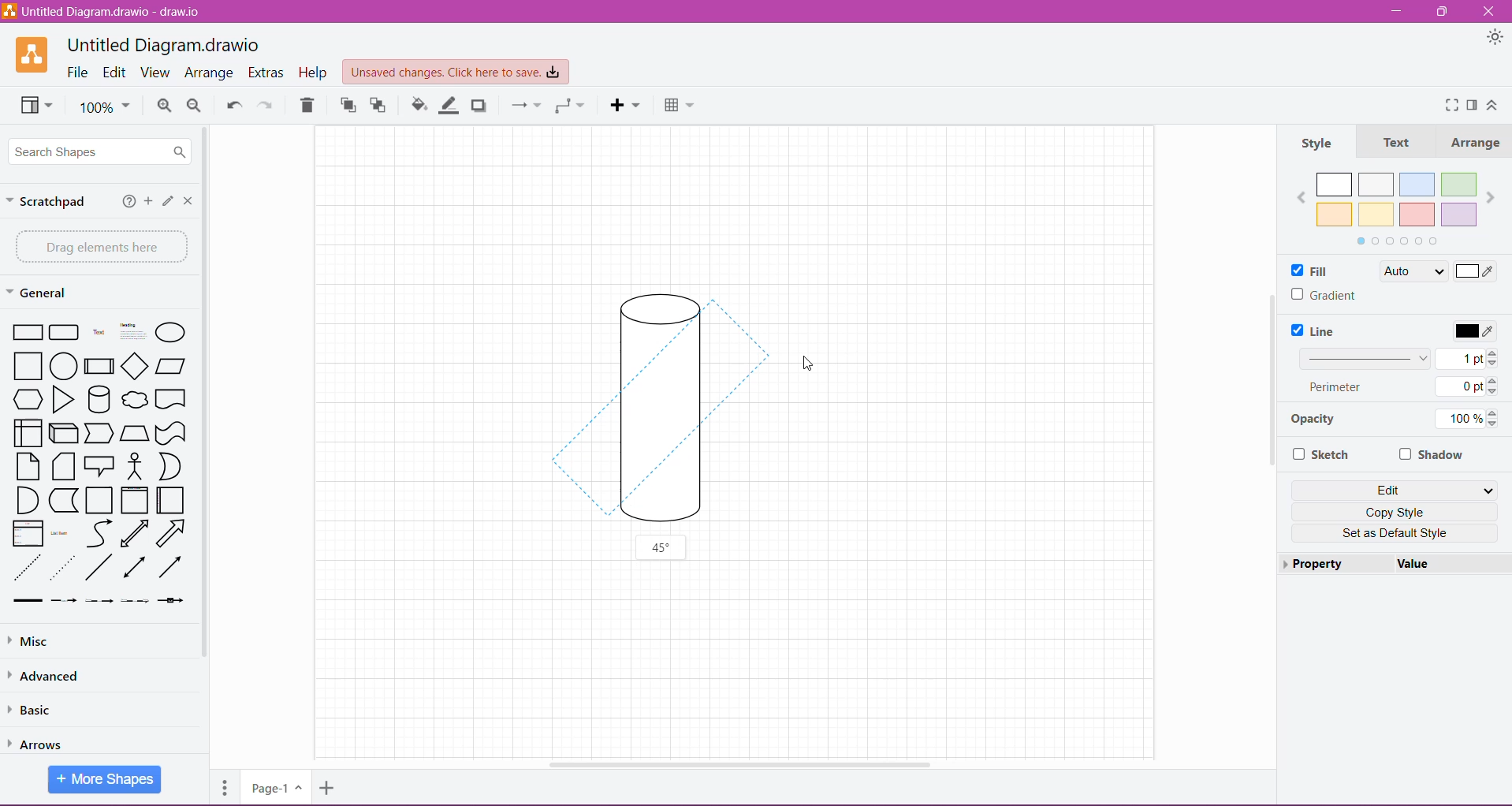 The image size is (1512, 806). What do you see at coordinates (1399, 357) in the screenshot?
I see `Set Line width` at bounding box center [1399, 357].